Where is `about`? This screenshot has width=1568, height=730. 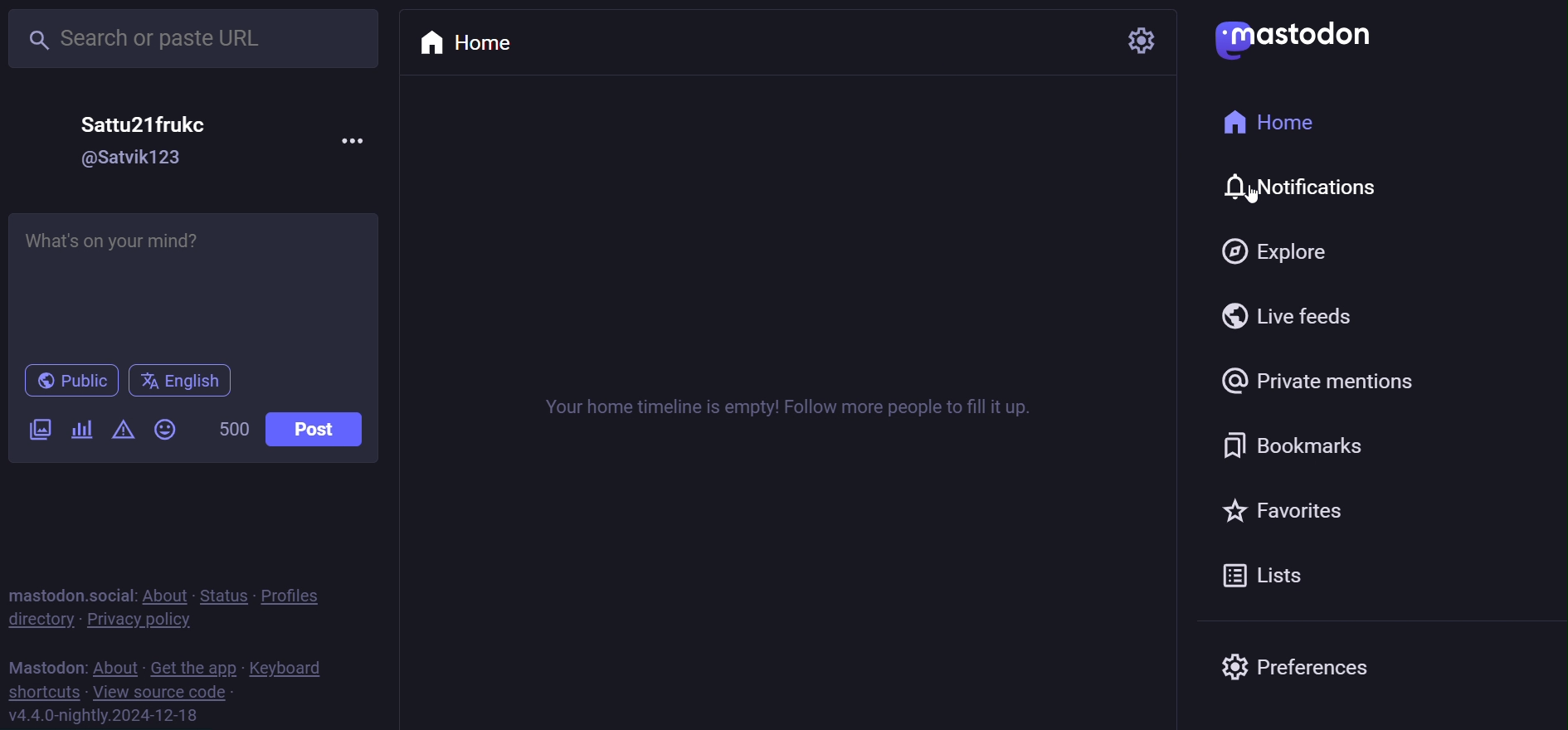 about is located at coordinates (162, 593).